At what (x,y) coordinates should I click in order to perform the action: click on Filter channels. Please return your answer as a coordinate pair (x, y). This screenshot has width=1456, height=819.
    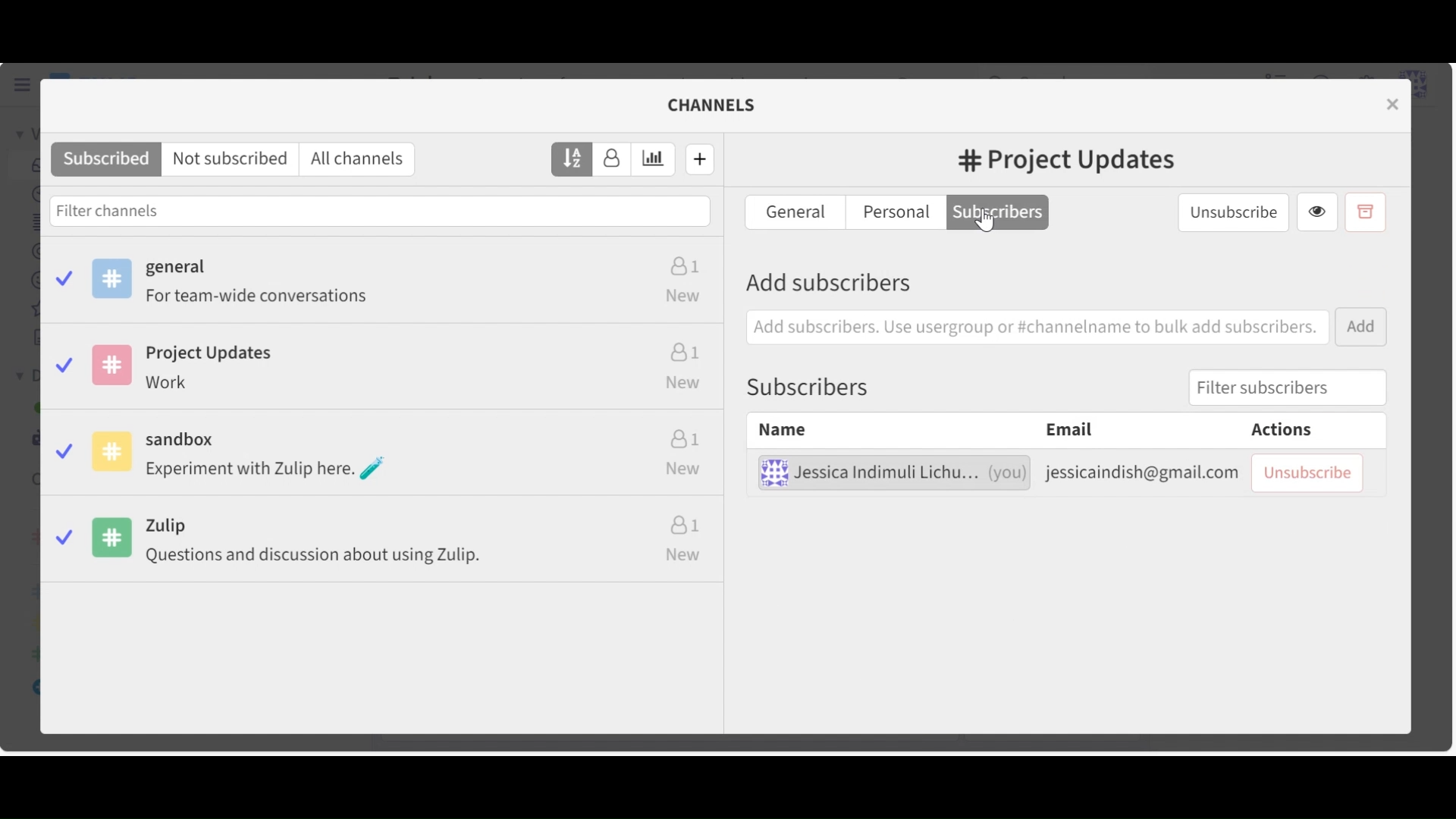
    Looking at the image, I should click on (377, 211).